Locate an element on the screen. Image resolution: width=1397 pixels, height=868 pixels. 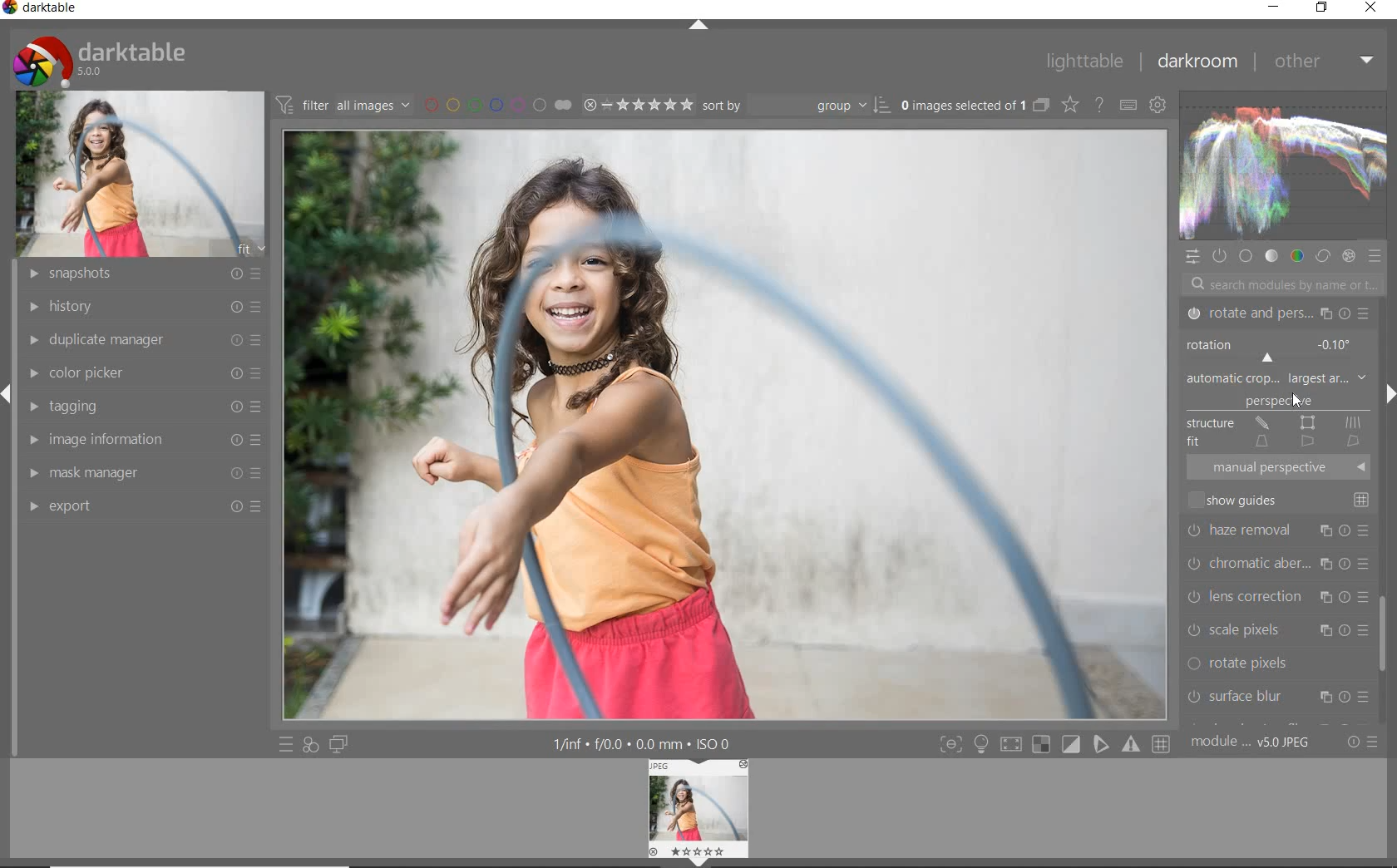
tagging is located at coordinates (144, 406).